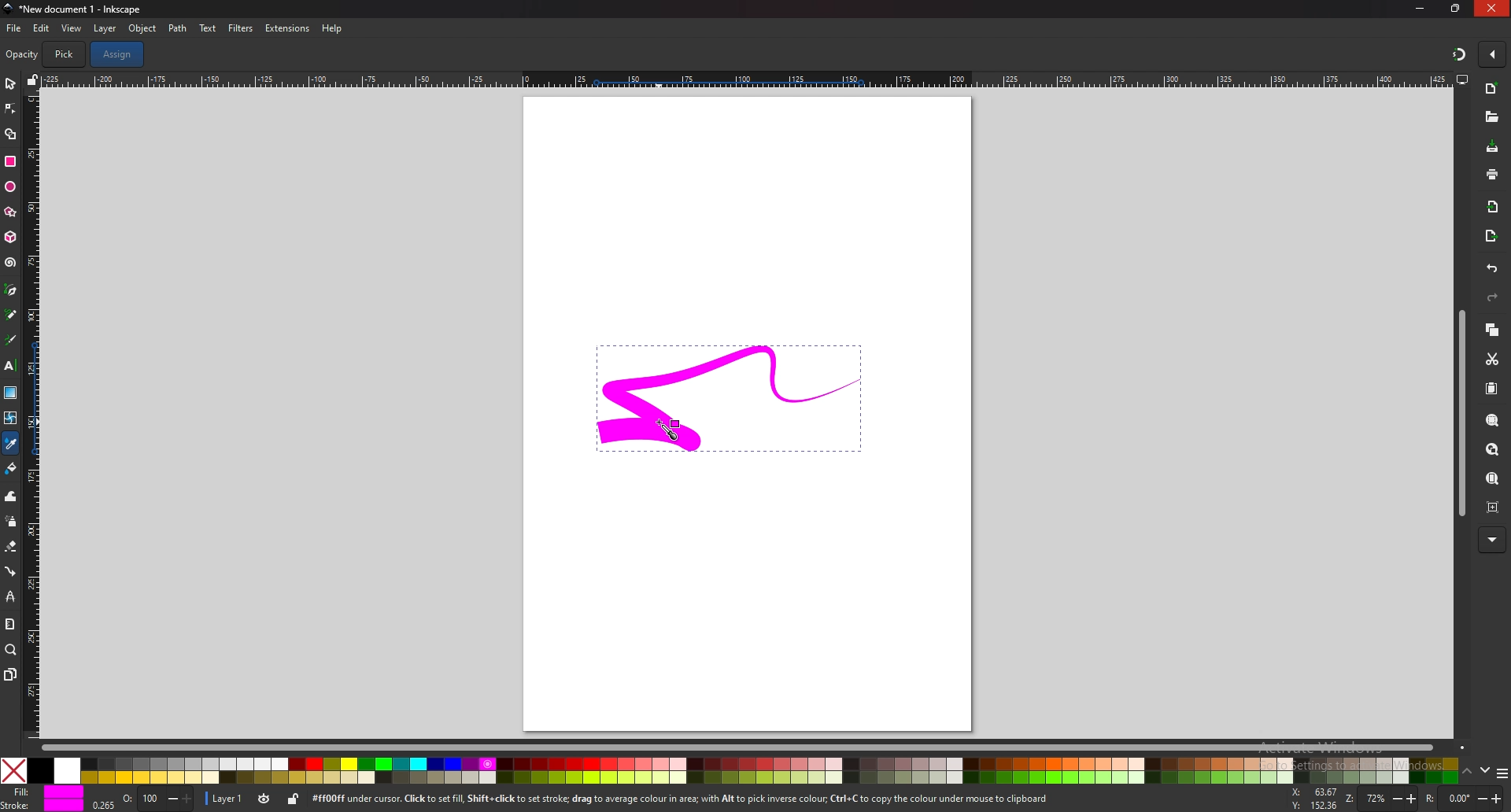  I want to click on opacity, so click(22, 55).